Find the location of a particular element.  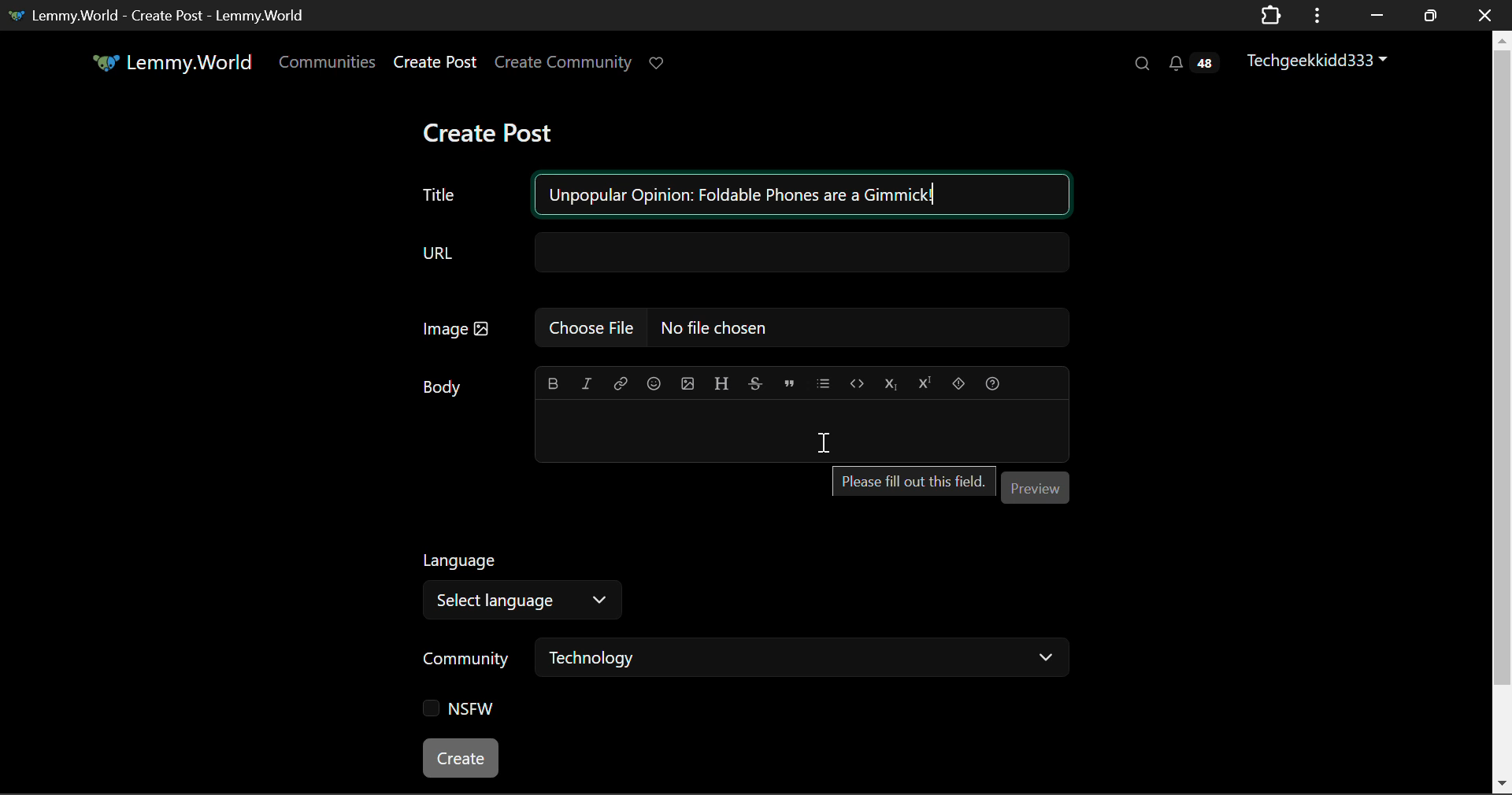

Post Body Textbox is located at coordinates (795, 429).